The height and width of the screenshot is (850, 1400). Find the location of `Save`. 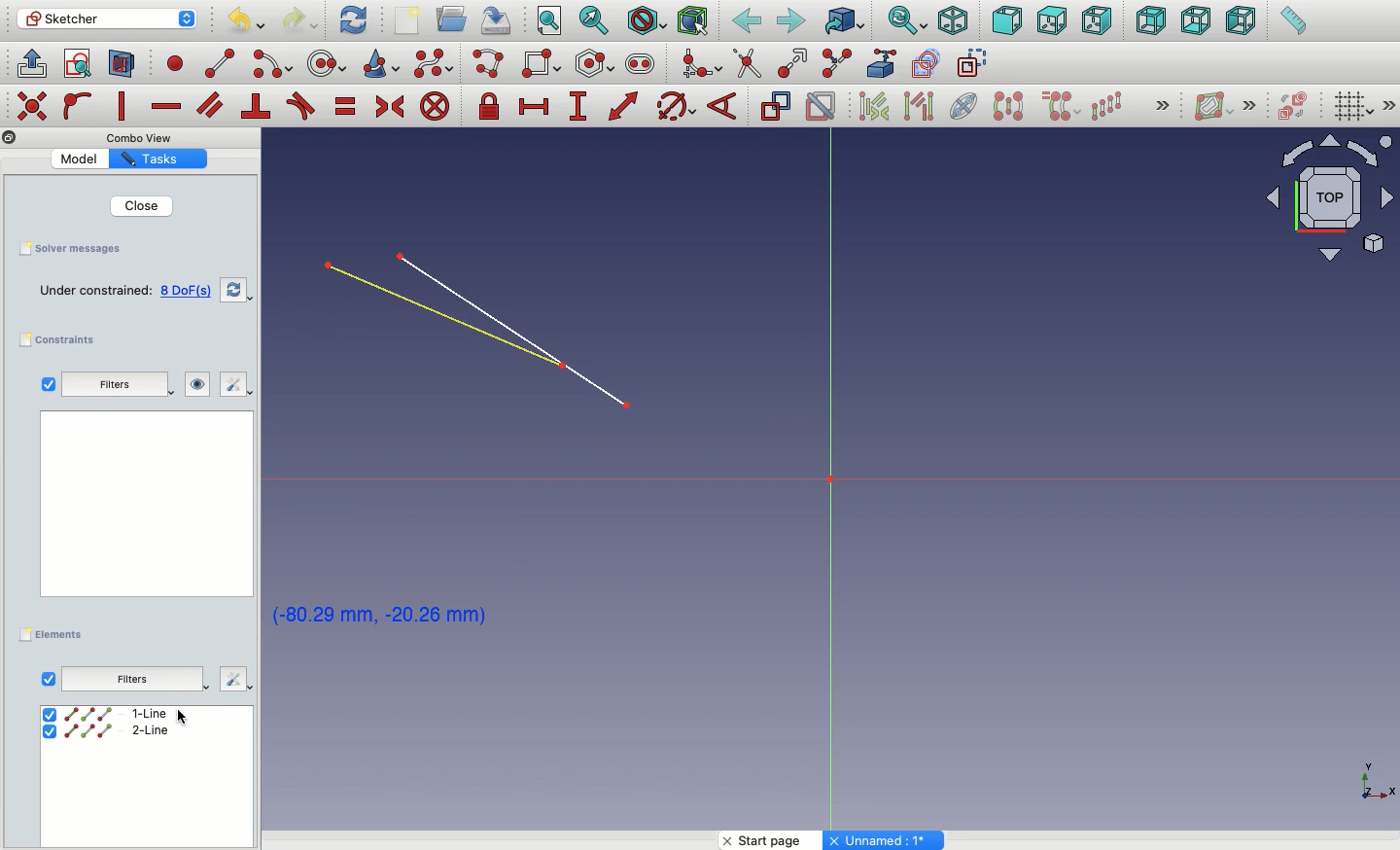

Save is located at coordinates (501, 20).